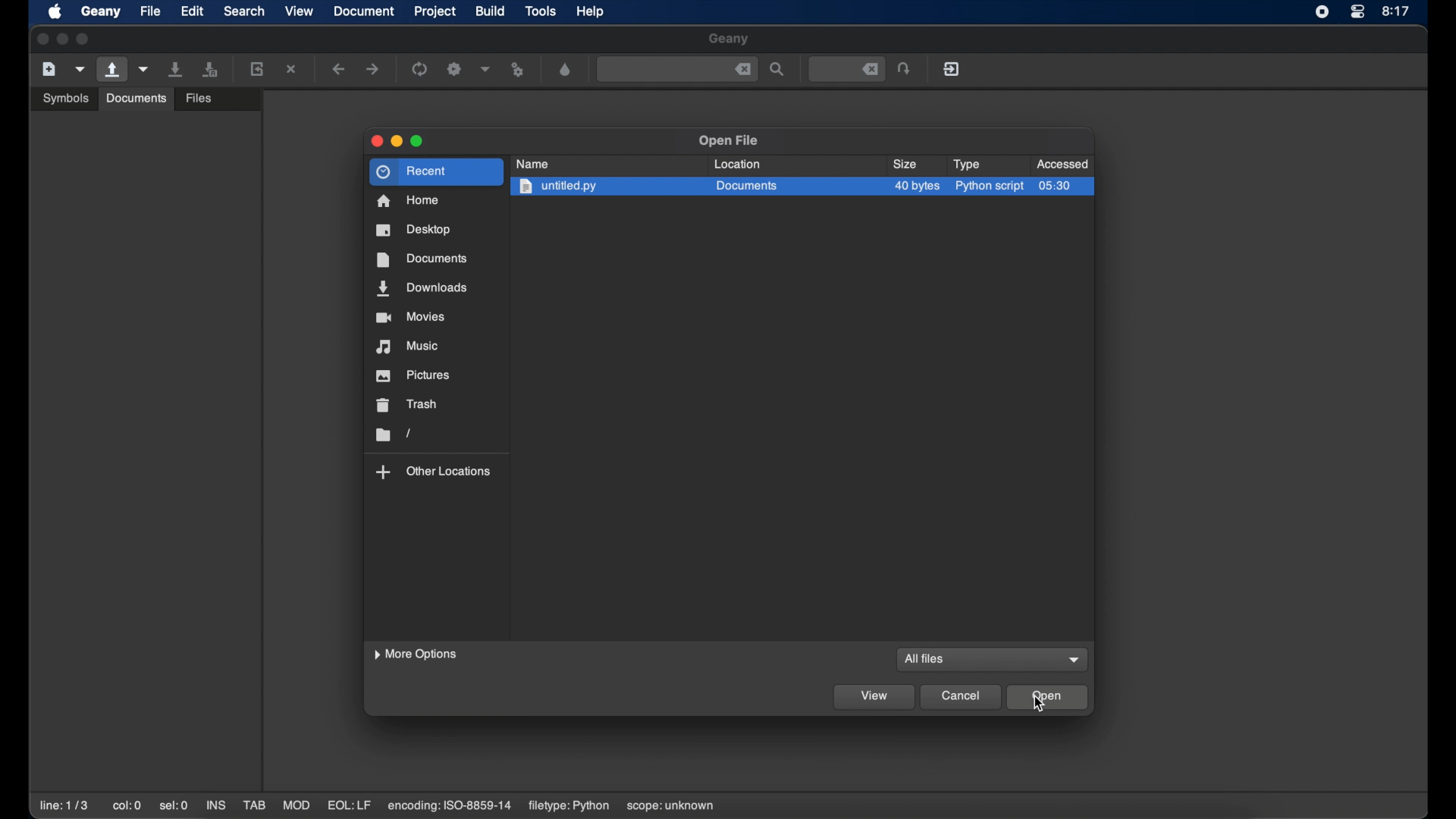  I want to click on file highlighted, so click(804, 189).